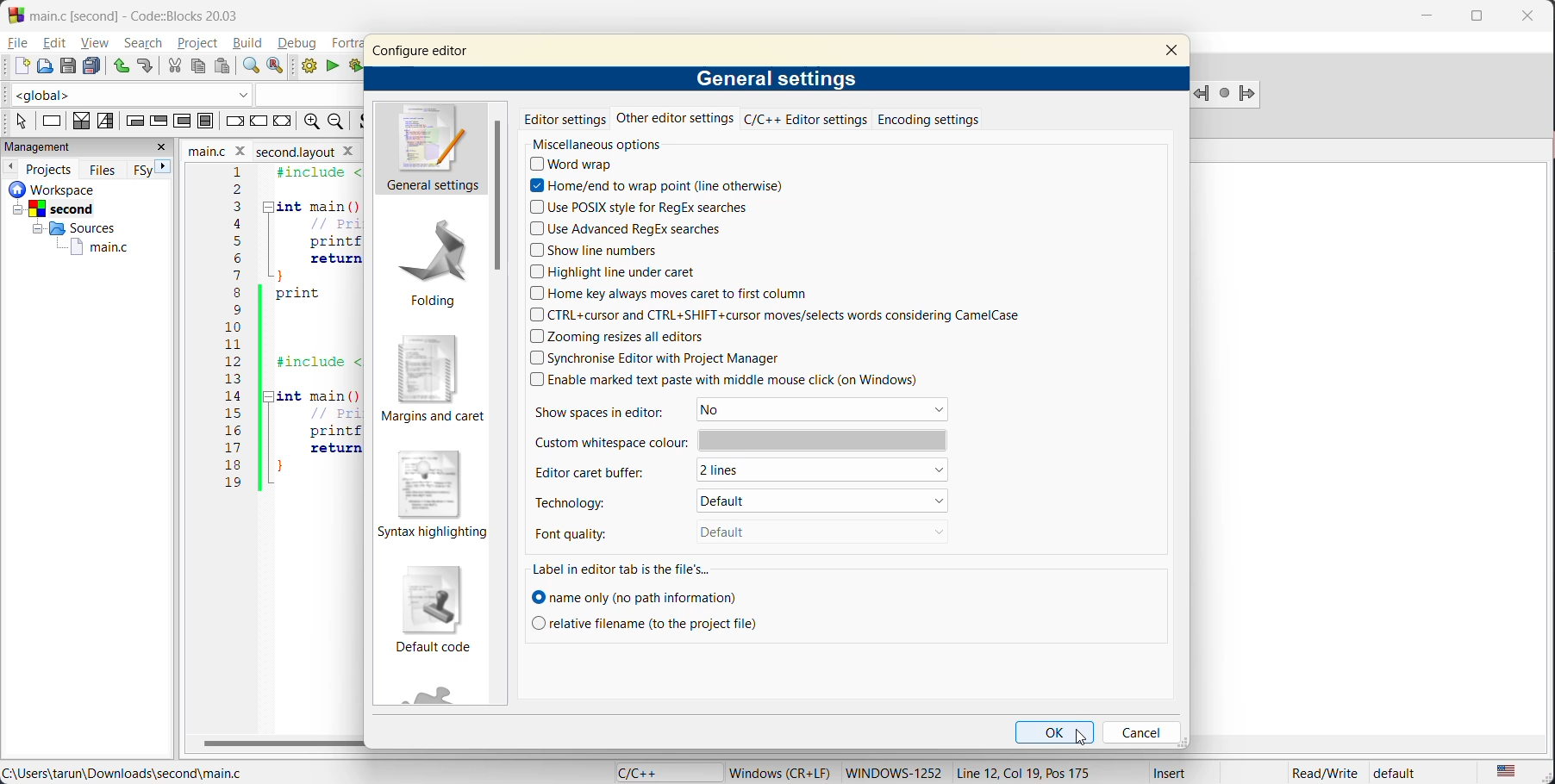 This screenshot has width=1555, height=784. Describe the element at coordinates (627, 338) in the screenshot. I see `zooming resizes all editors` at that location.